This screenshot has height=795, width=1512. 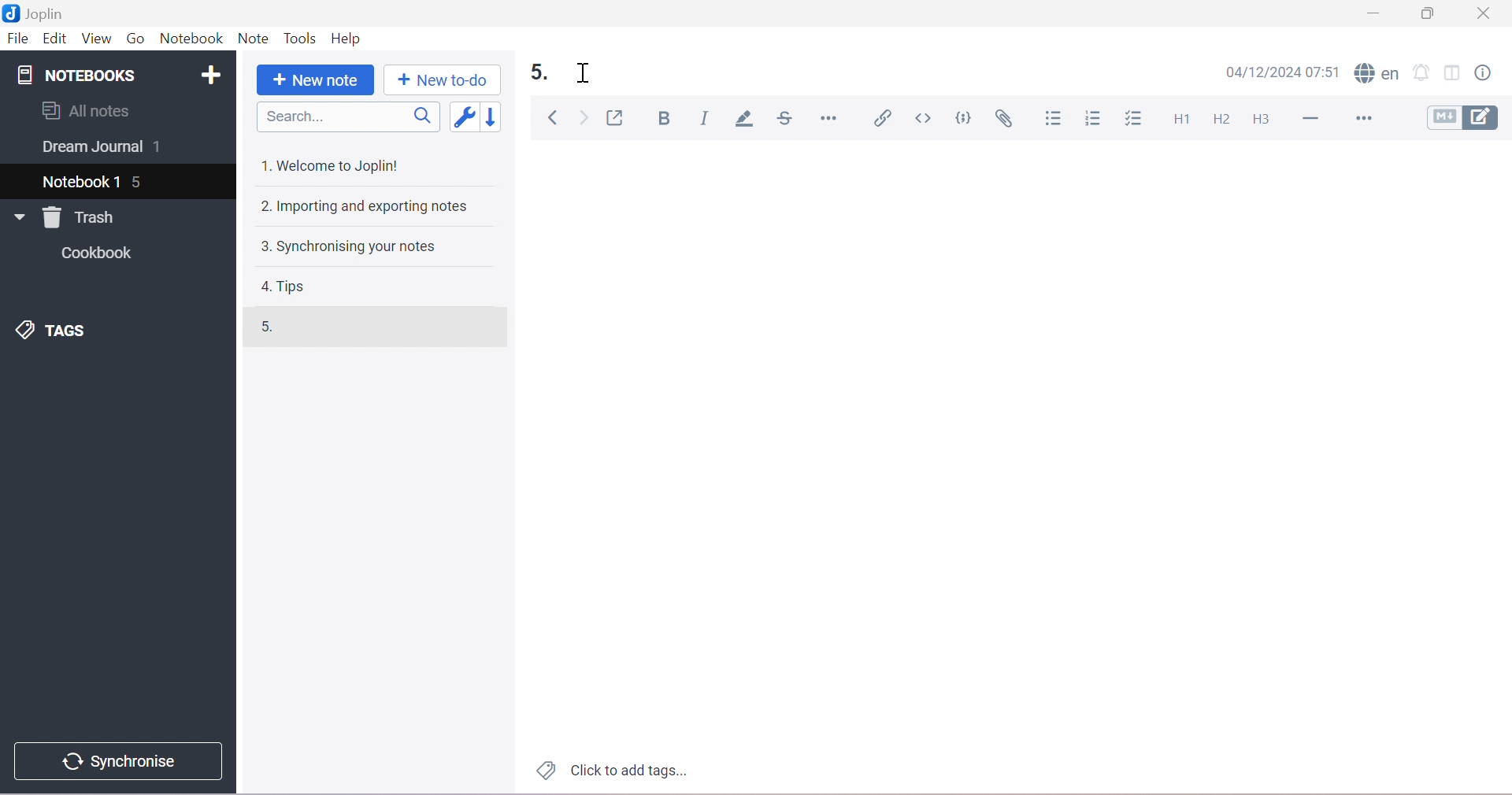 What do you see at coordinates (618, 118) in the screenshot?
I see `Toggle external editing` at bounding box center [618, 118].